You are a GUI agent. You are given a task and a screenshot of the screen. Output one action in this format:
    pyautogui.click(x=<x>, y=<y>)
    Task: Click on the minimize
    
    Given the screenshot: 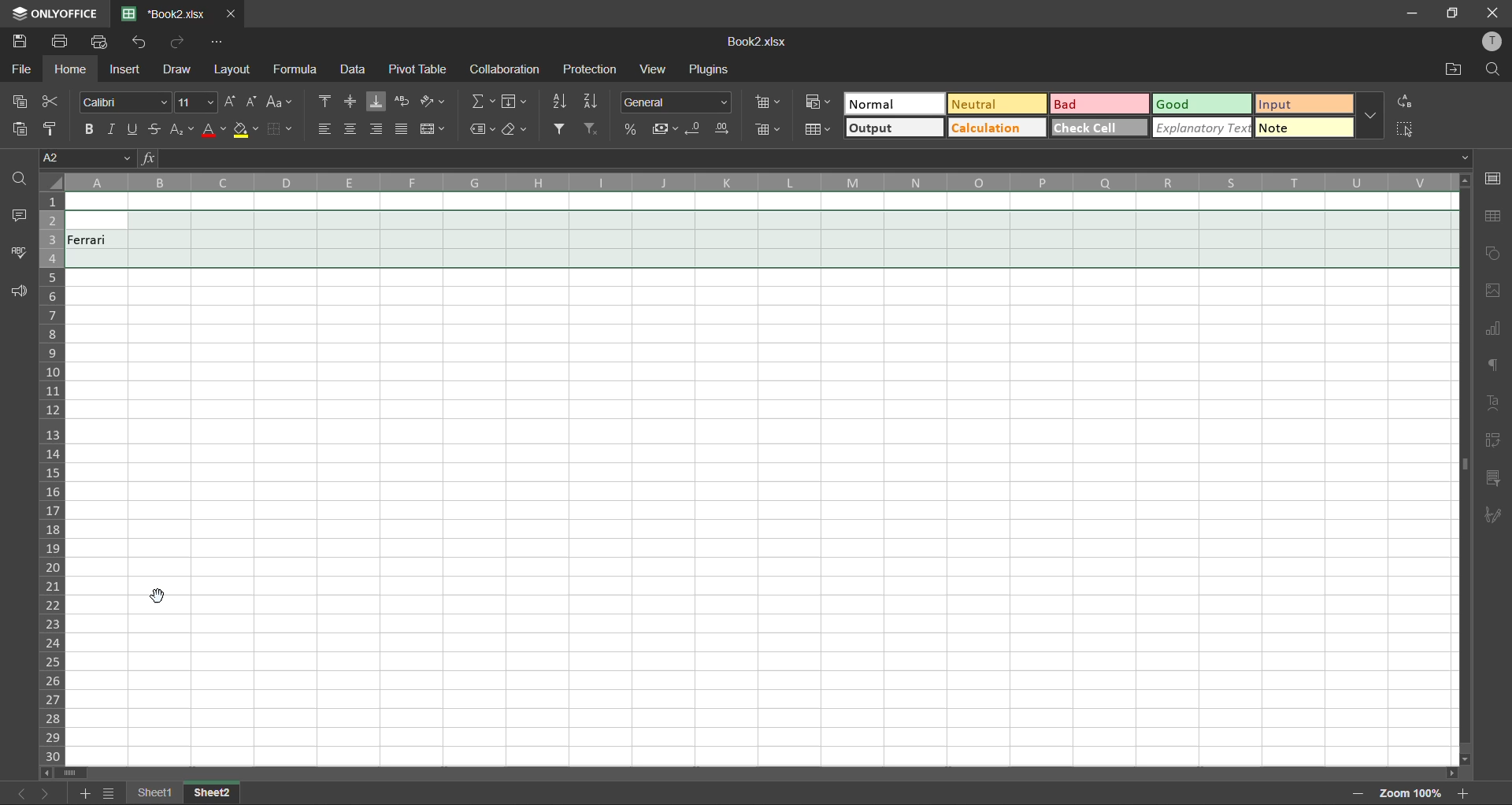 What is the action you would take?
    pyautogui.click(x=1413, y=14)
    